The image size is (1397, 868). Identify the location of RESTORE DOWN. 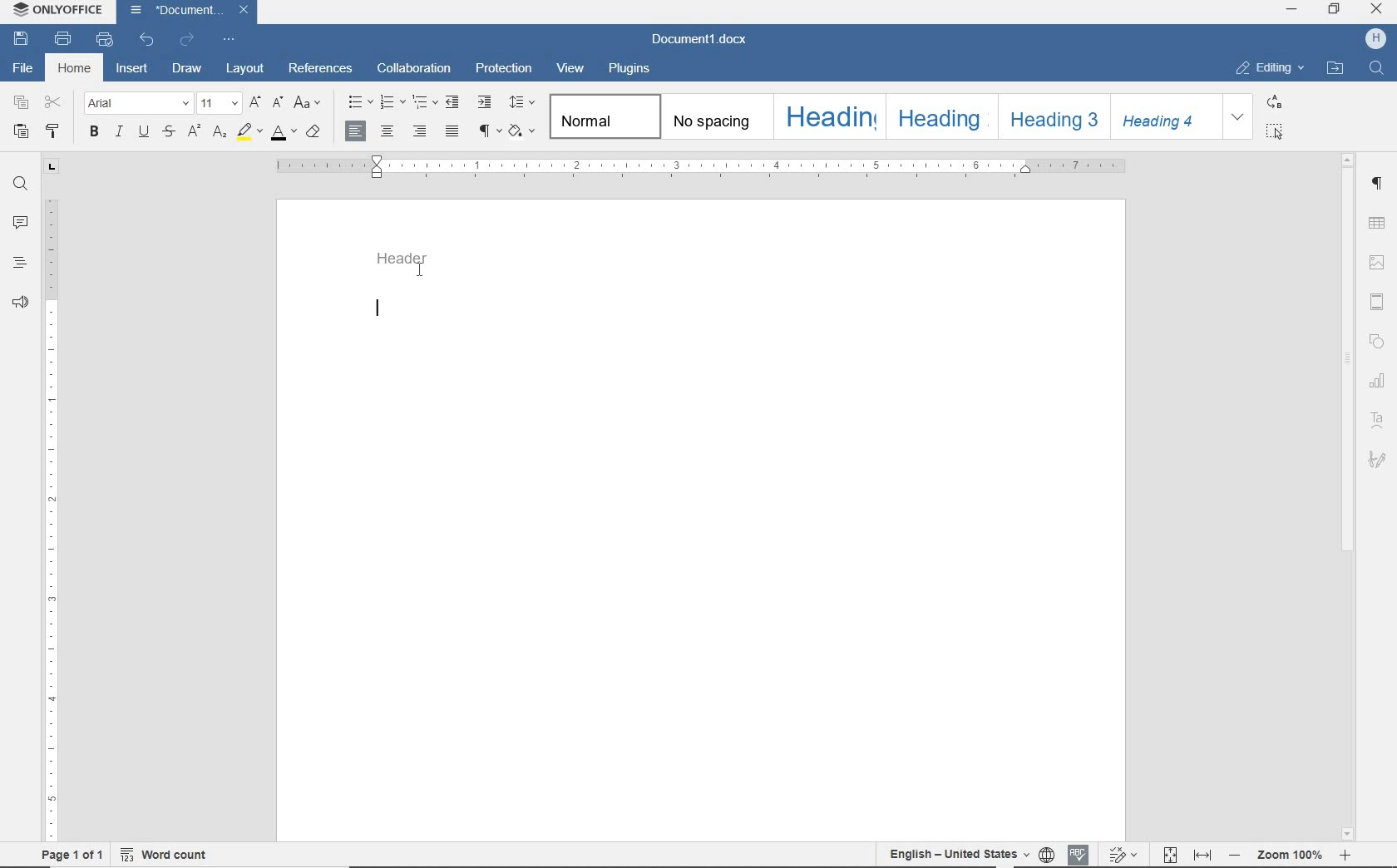
(1335, 9).